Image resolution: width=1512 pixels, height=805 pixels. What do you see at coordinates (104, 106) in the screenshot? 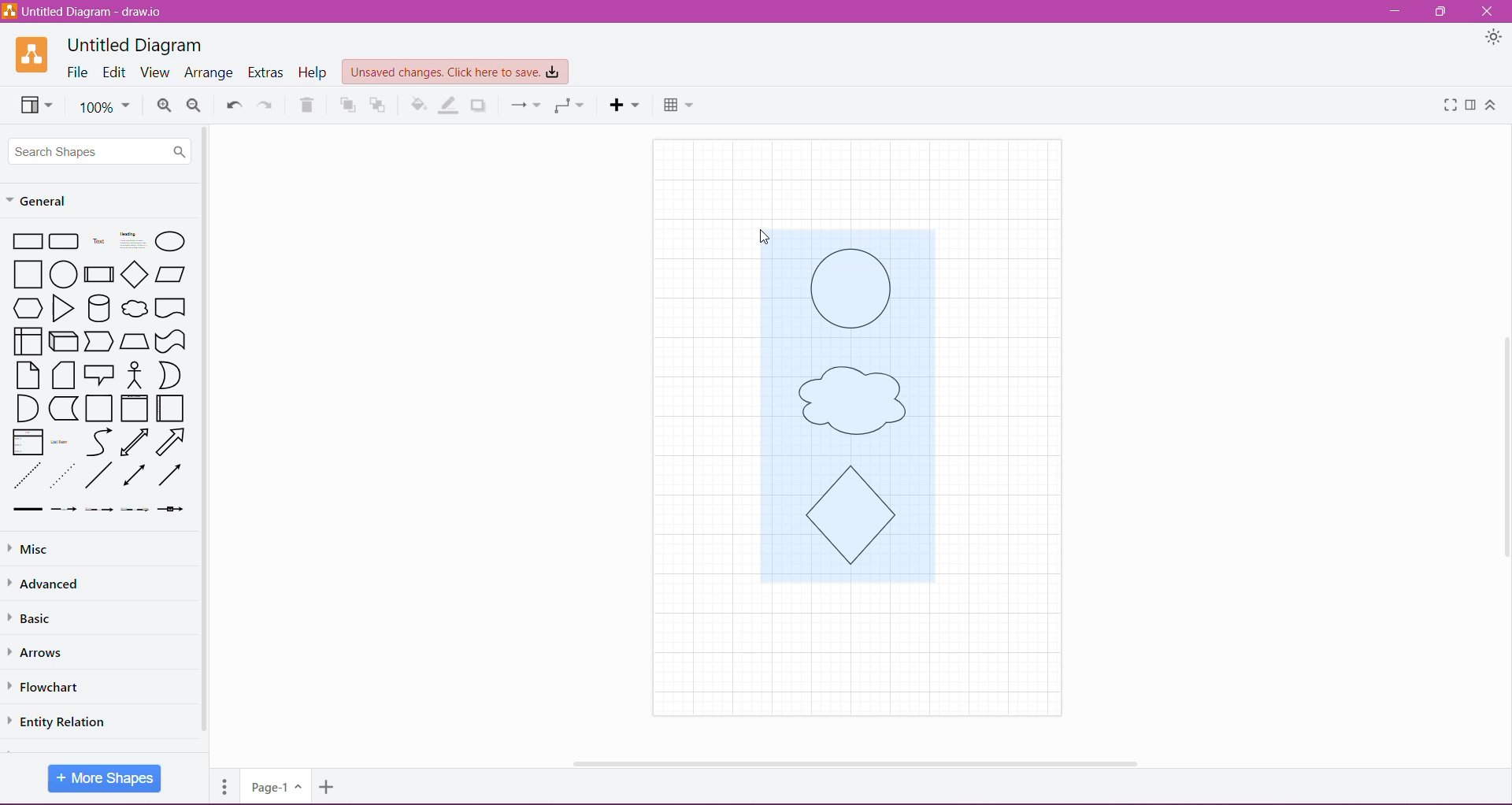
I see `Zoom` at bounding box center [104, 106].